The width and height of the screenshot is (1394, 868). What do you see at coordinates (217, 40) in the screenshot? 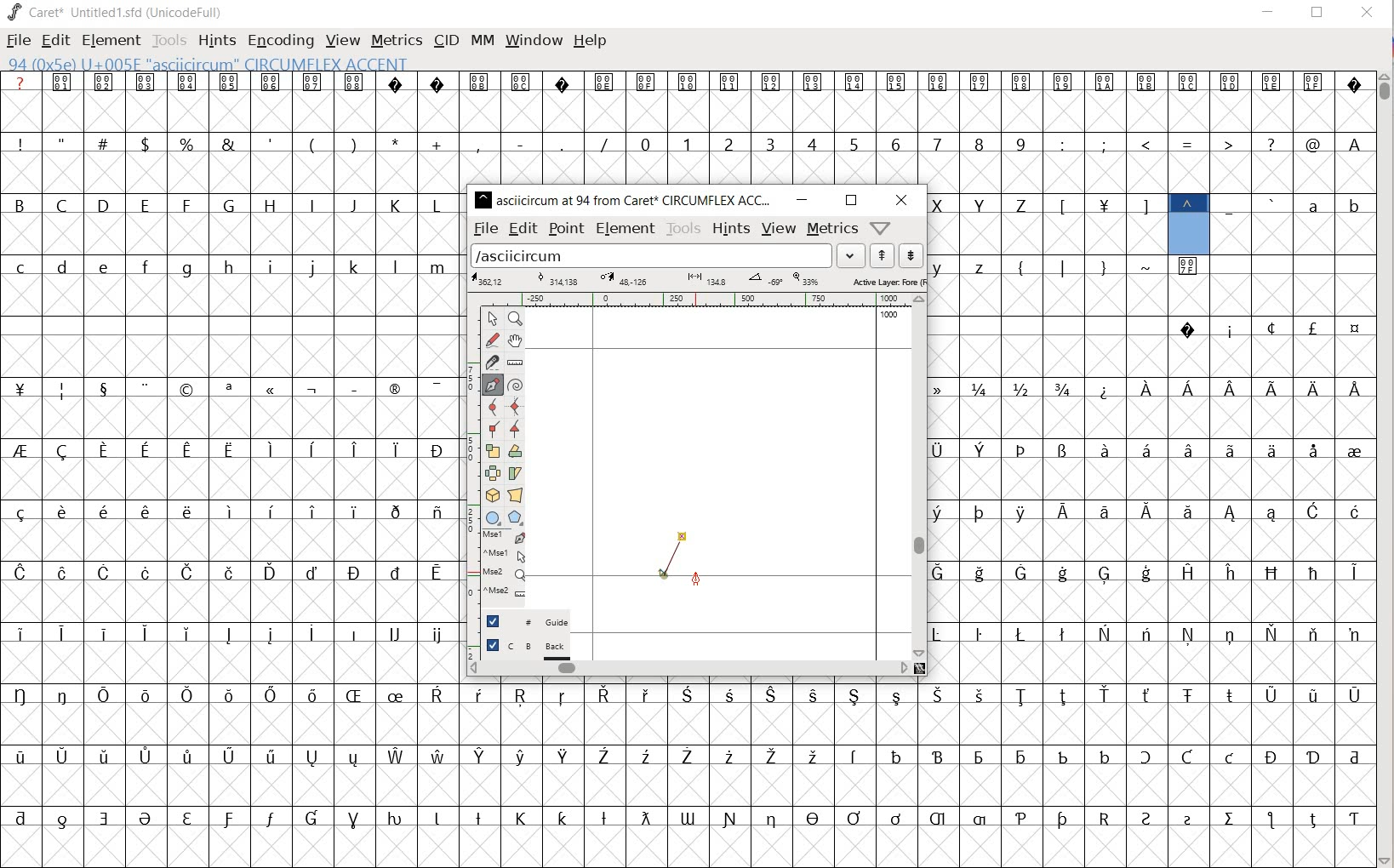
I see `HINTS` at bounding box center [217, 40].